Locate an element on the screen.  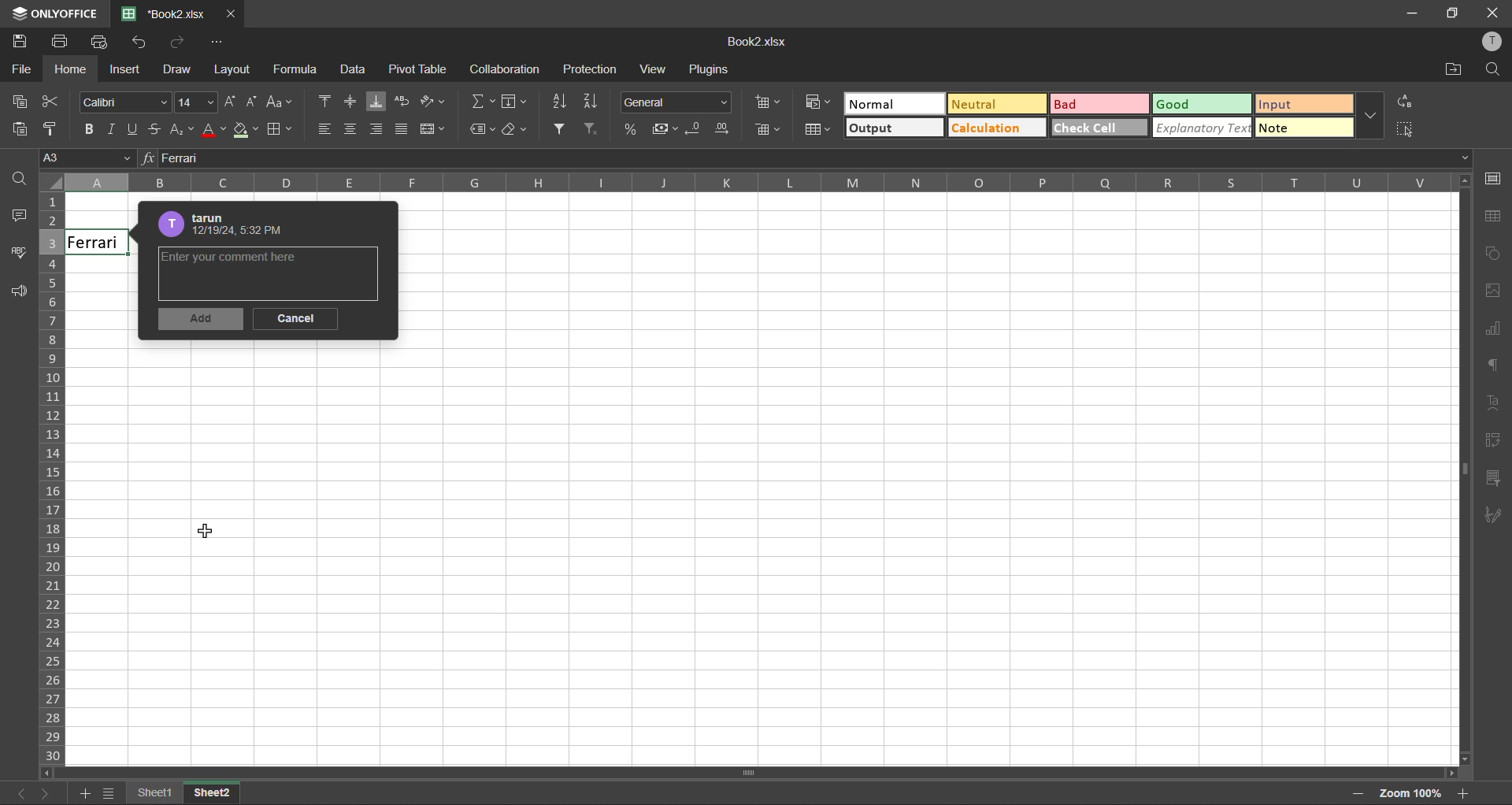
plugins is located at coordinates (713, 70).